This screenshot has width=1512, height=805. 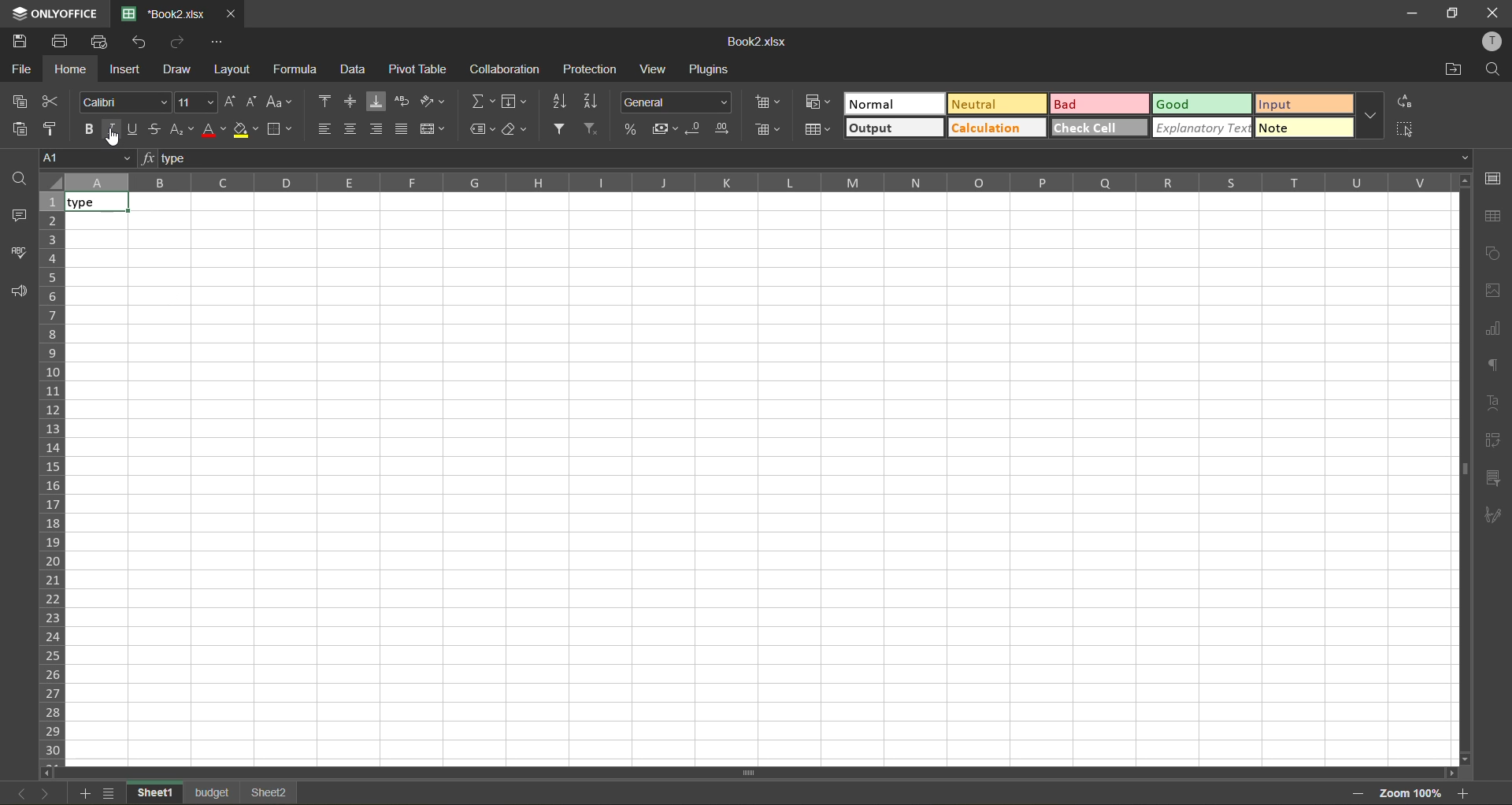 What do you see at coordinates (563, 101) in the screenshot?
I see `sort ascending` at bounding box center [563, 101].